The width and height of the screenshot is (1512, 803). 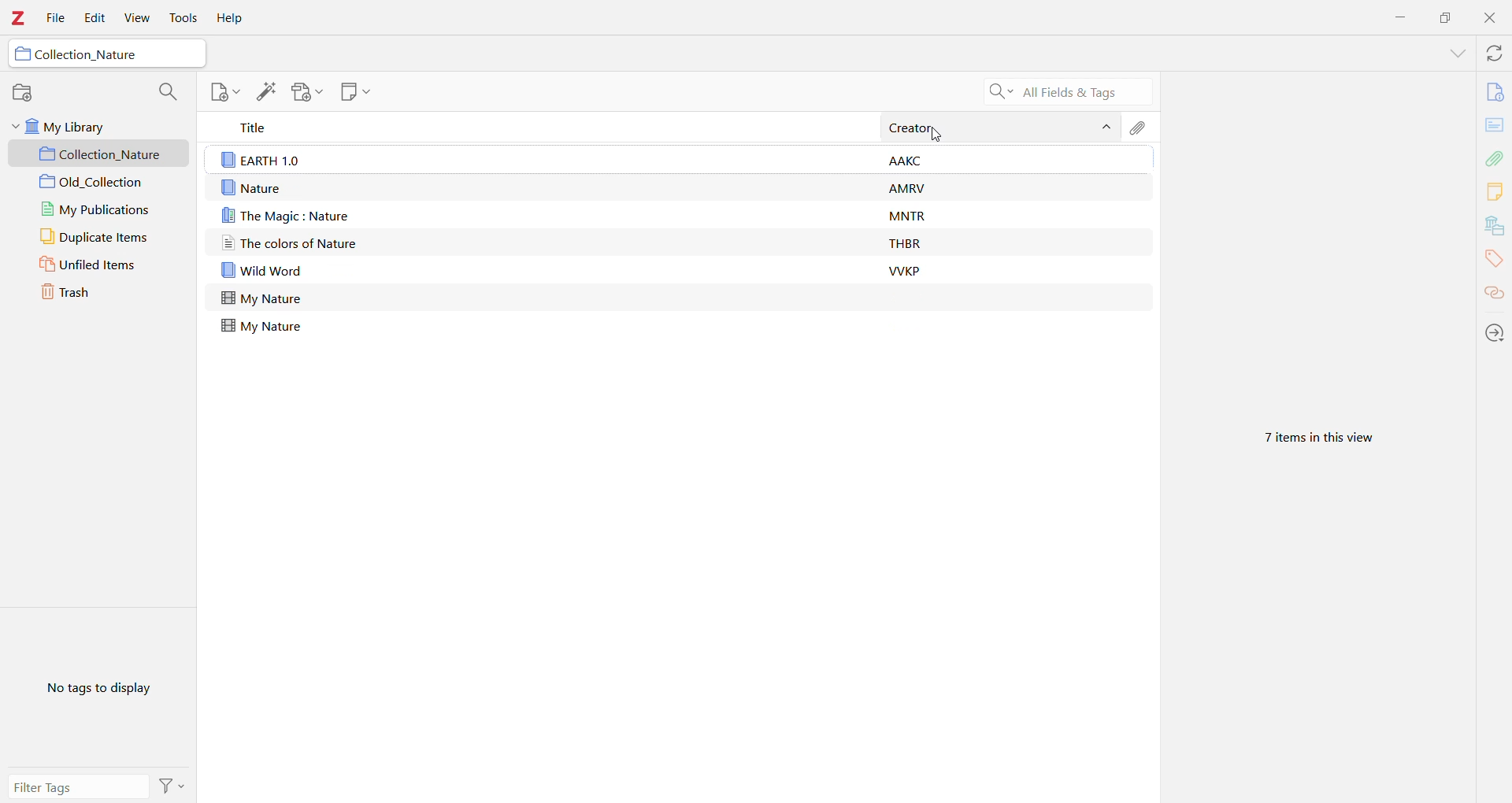 I want to click on Application Logo, so click(x=18, y=19).